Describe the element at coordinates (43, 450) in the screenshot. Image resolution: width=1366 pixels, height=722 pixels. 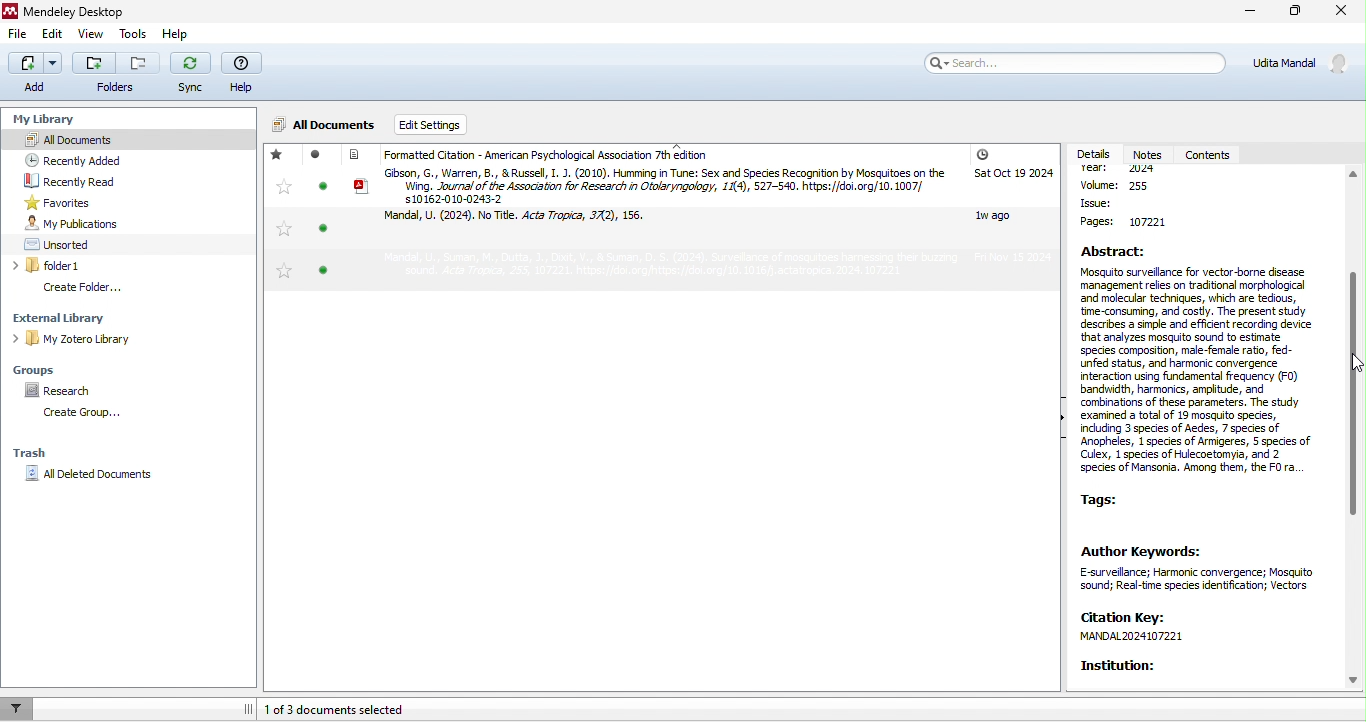
I see `trash` at that location.